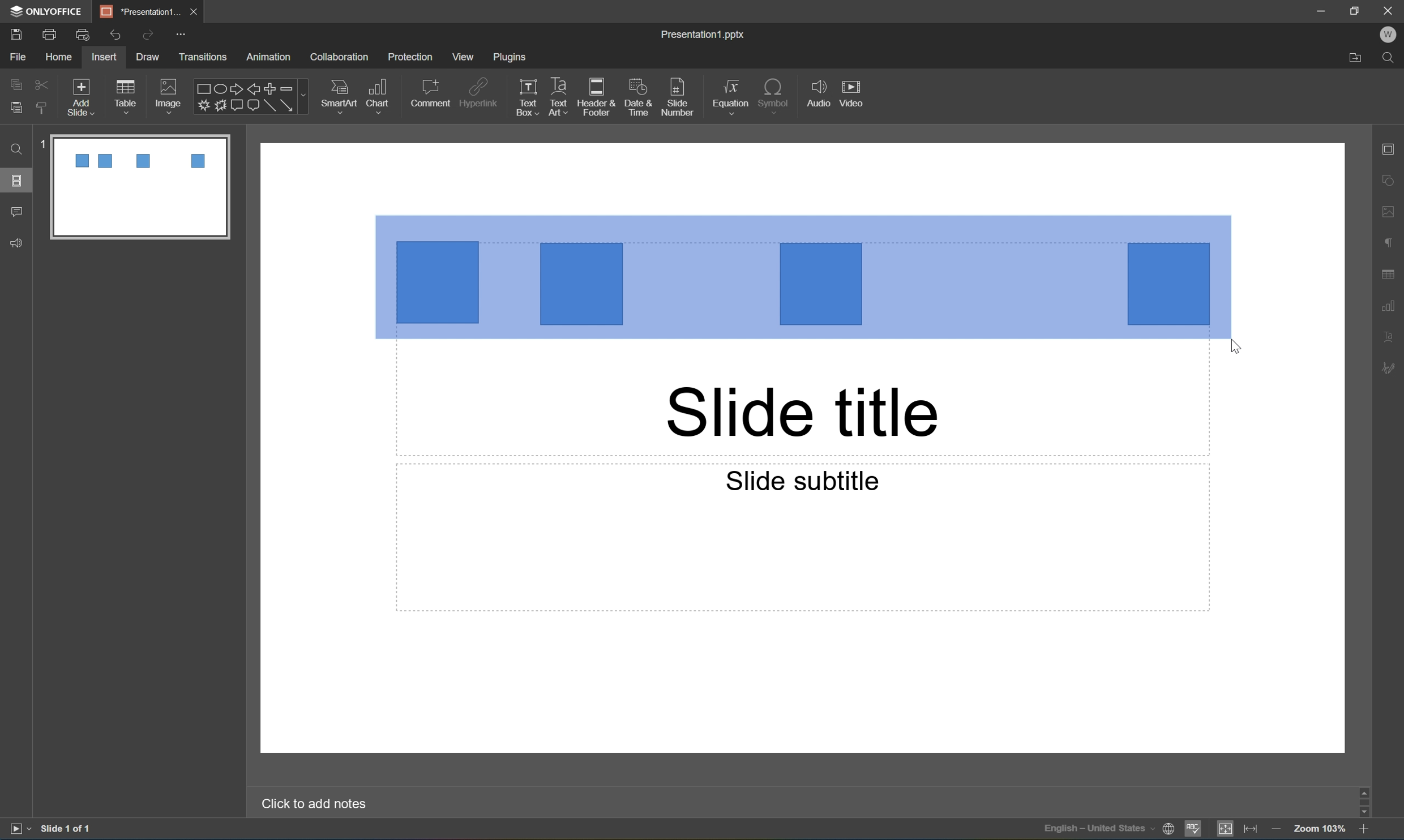  Describe the element at coordinates (1367, 801) in the screenshot. I see `scroll bar` at that location.